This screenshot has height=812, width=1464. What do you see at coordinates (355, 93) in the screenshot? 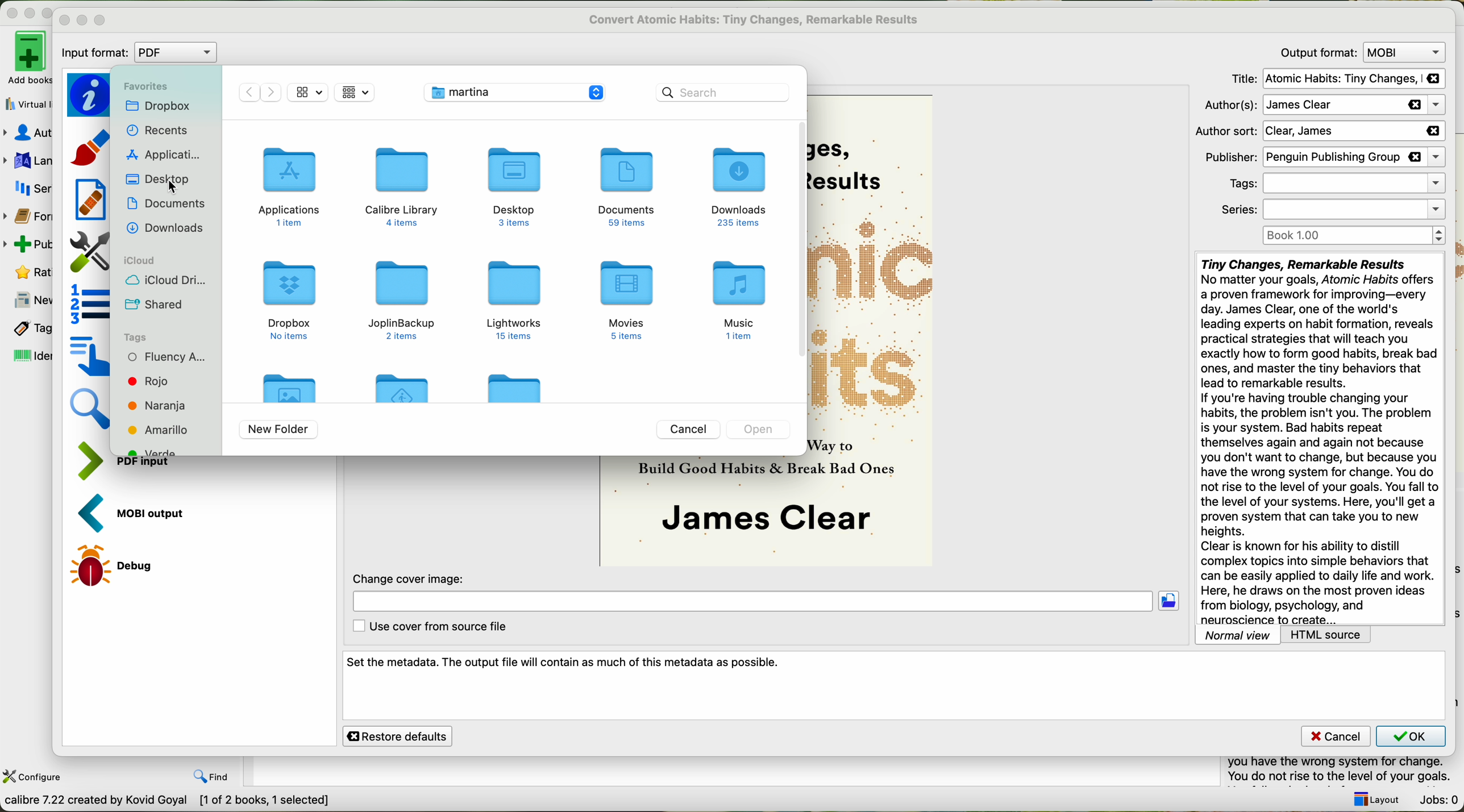
I see `mosaic view` at bounding box center [355, 93].